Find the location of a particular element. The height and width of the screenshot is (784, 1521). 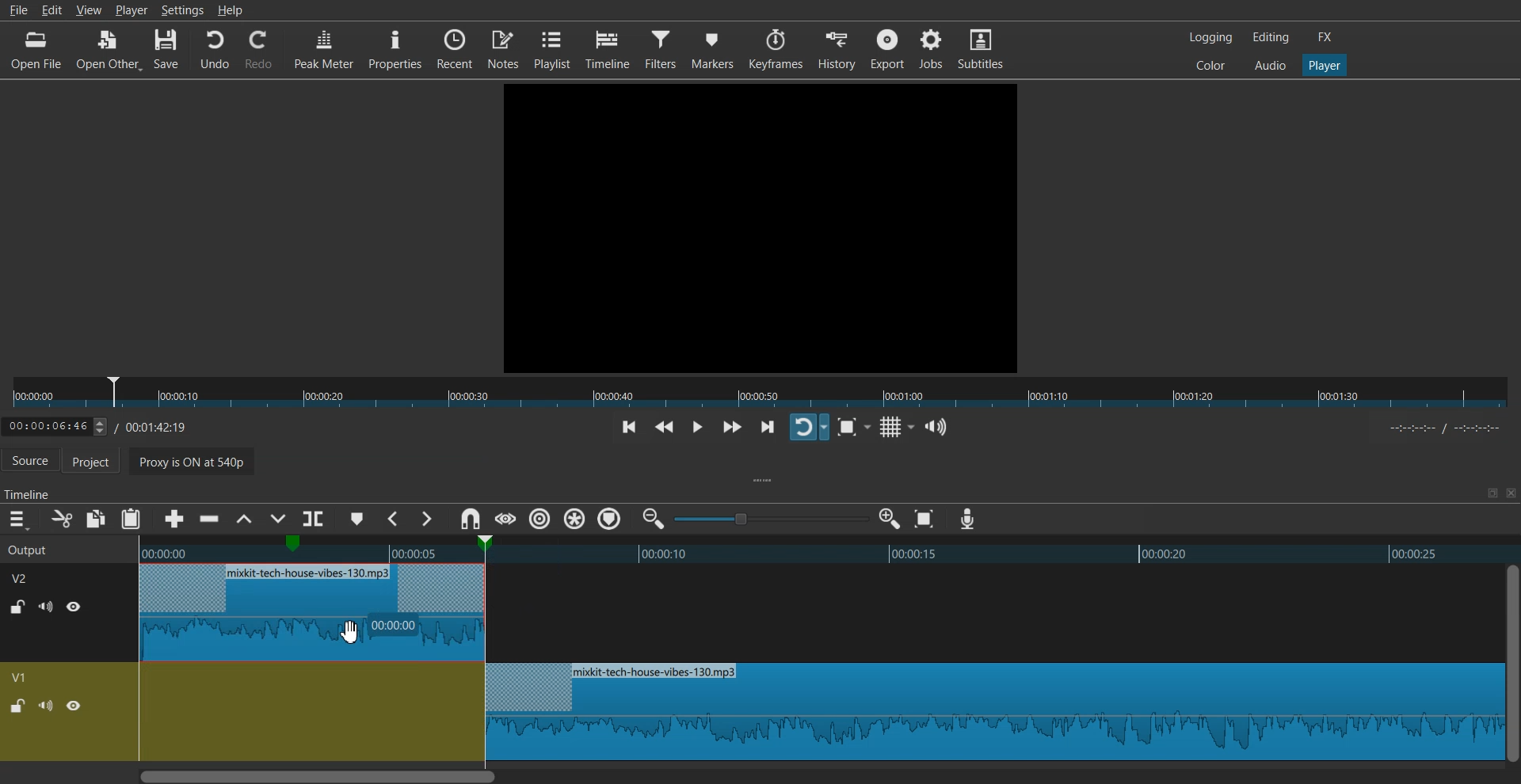

Settings is located at coordinates (182, 10).